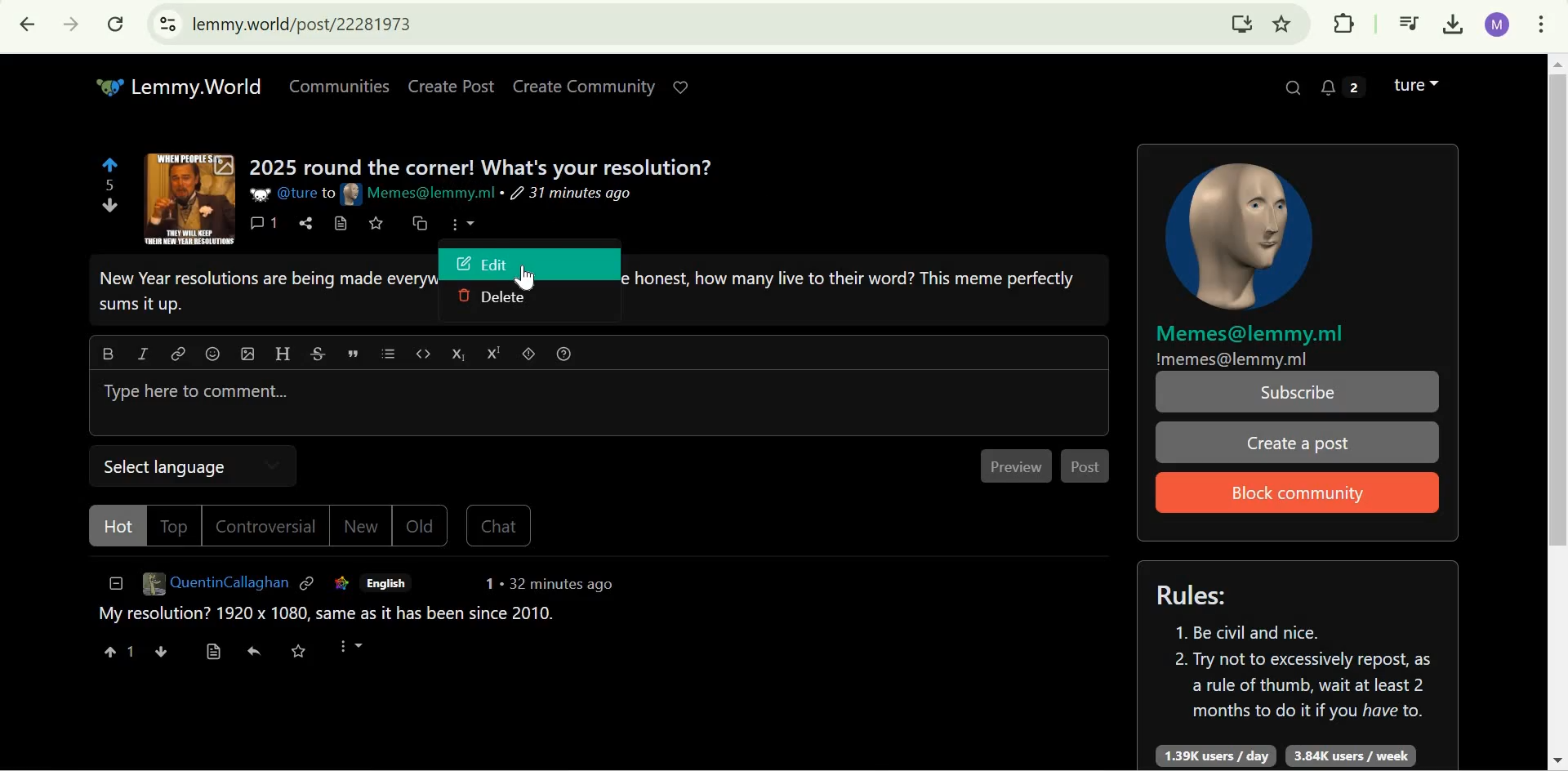 This screenshot has height=771, width=1568. Describe the element at coordinates (376, 225) in the screenshot. I see `save` at that location.